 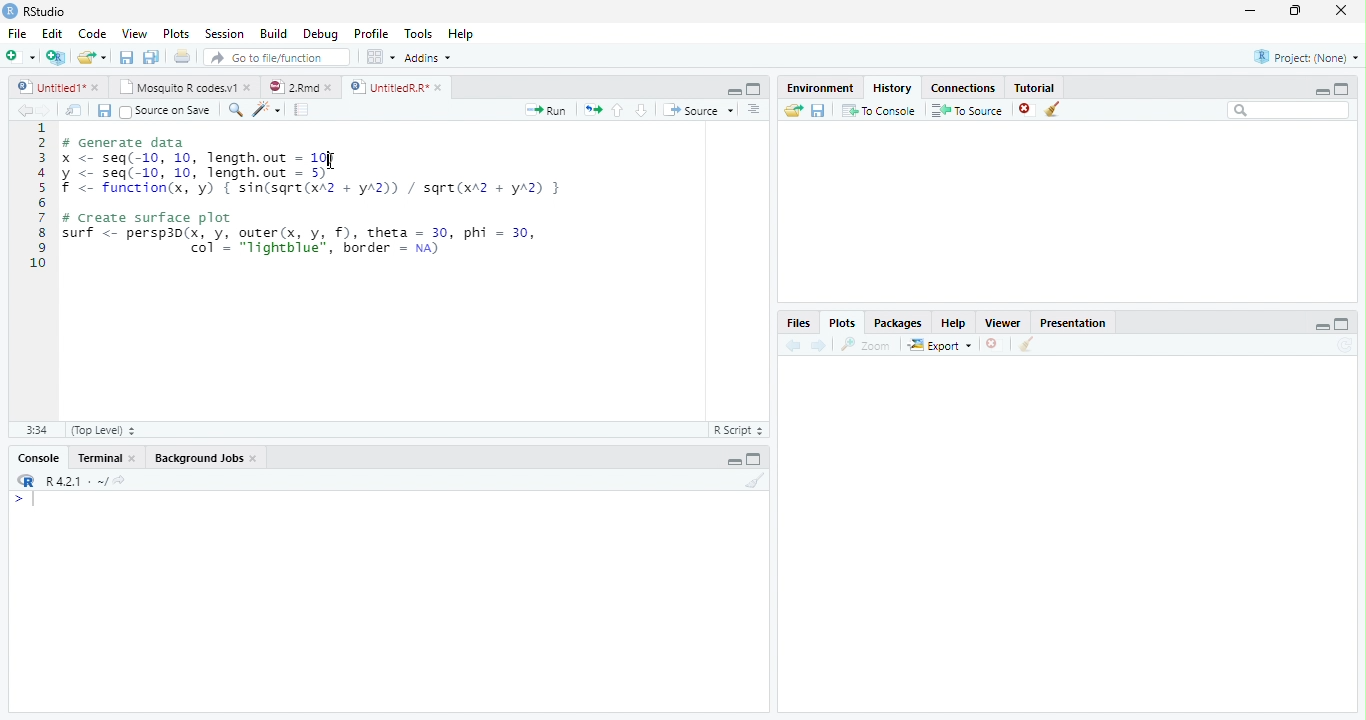 I want to click on Edit, so click(x=51, y=33).